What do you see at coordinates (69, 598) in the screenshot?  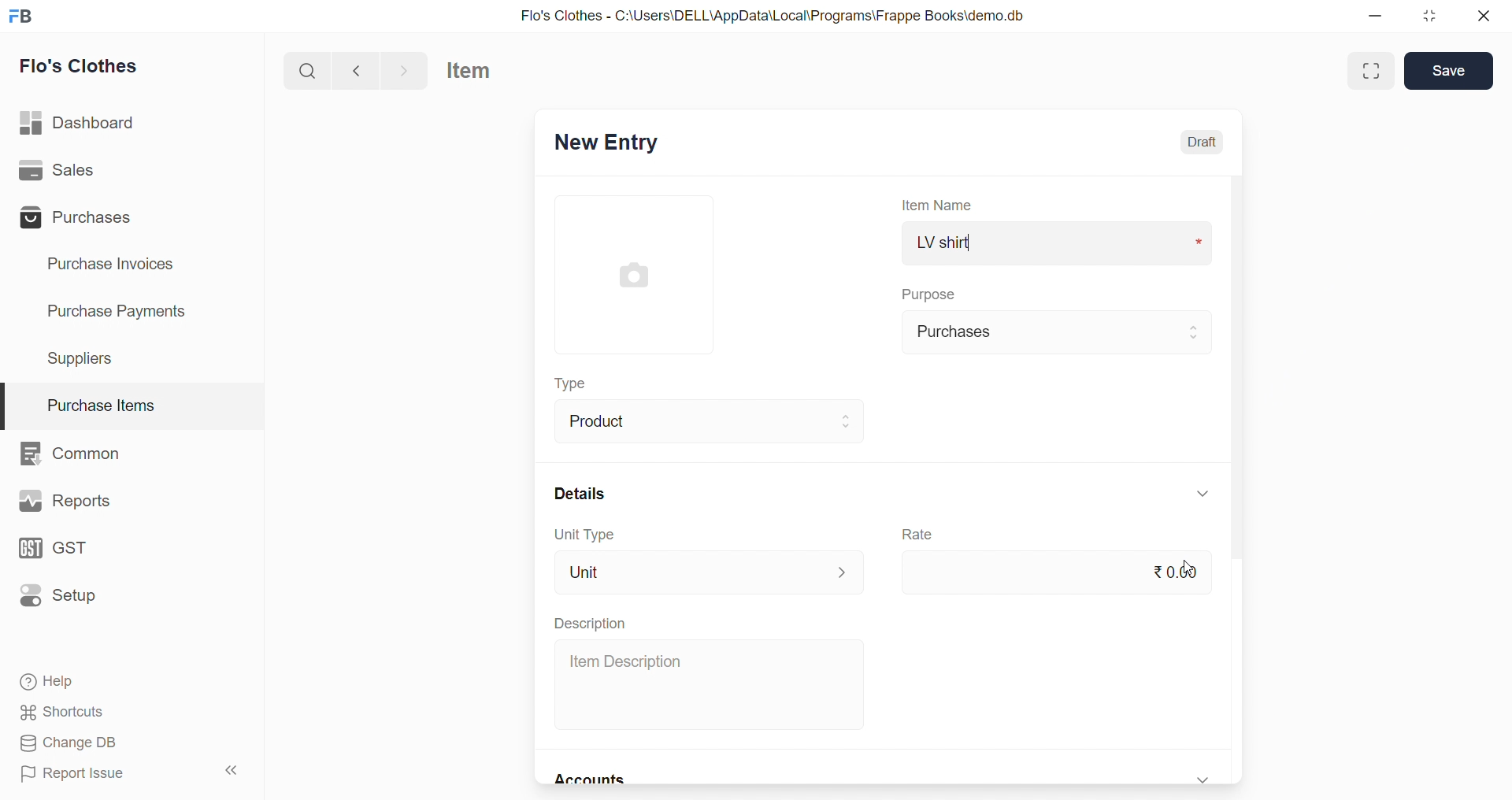 I see `Setup` at bounding box center [69, 598].